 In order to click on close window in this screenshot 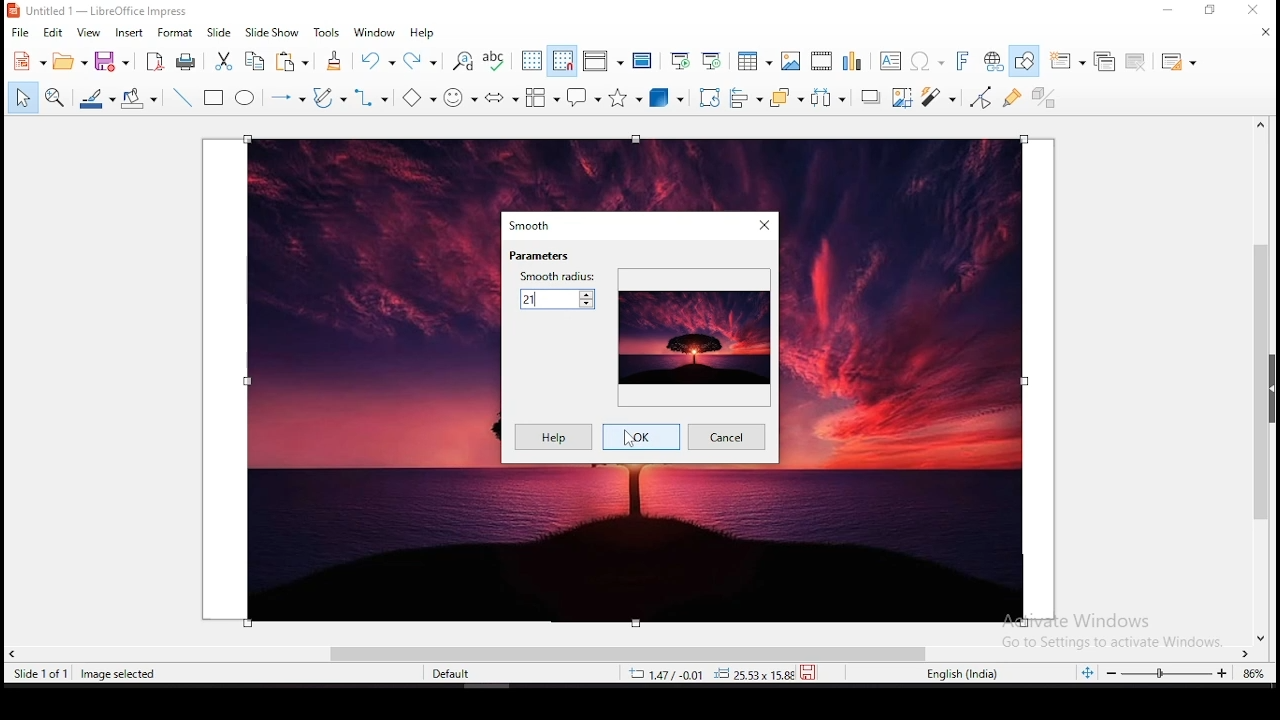, I will do `click(1253, 11)`.